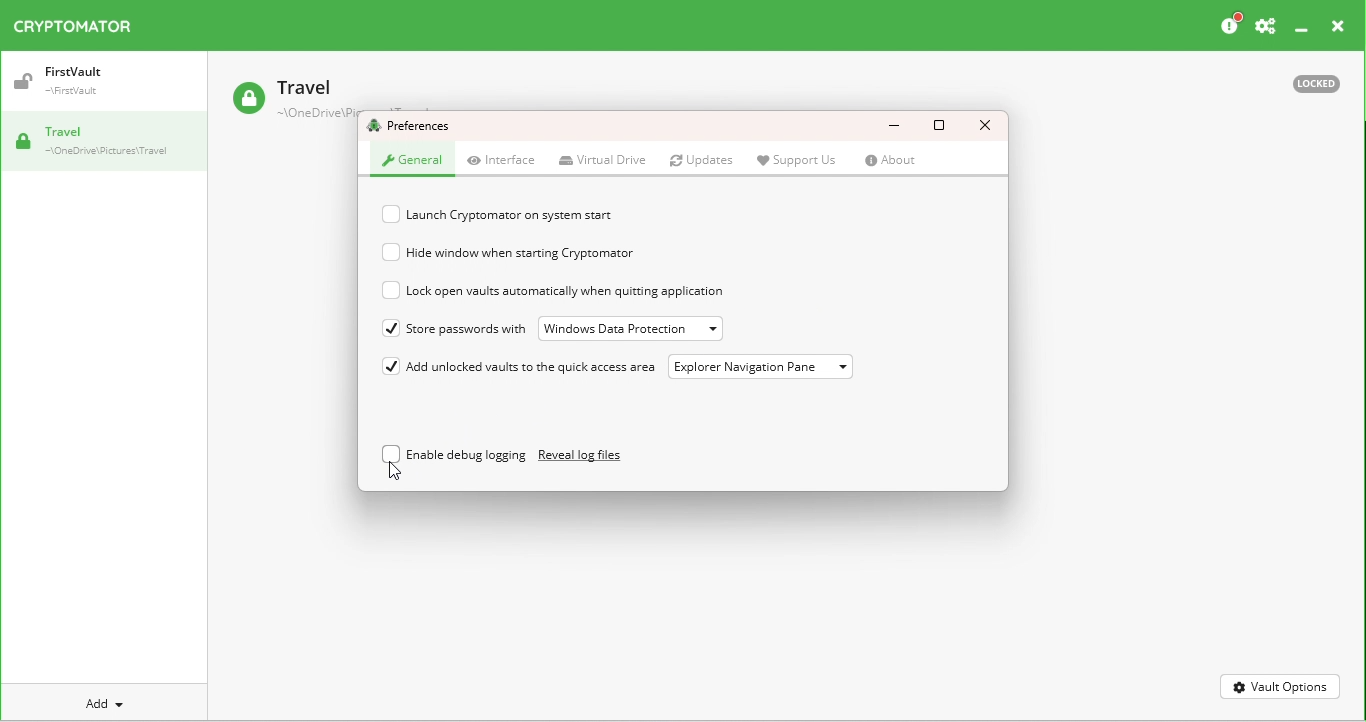 Image resolution: width=1366 pixels, height=722 pixels. I want to click on Support us, so click(796, 159).